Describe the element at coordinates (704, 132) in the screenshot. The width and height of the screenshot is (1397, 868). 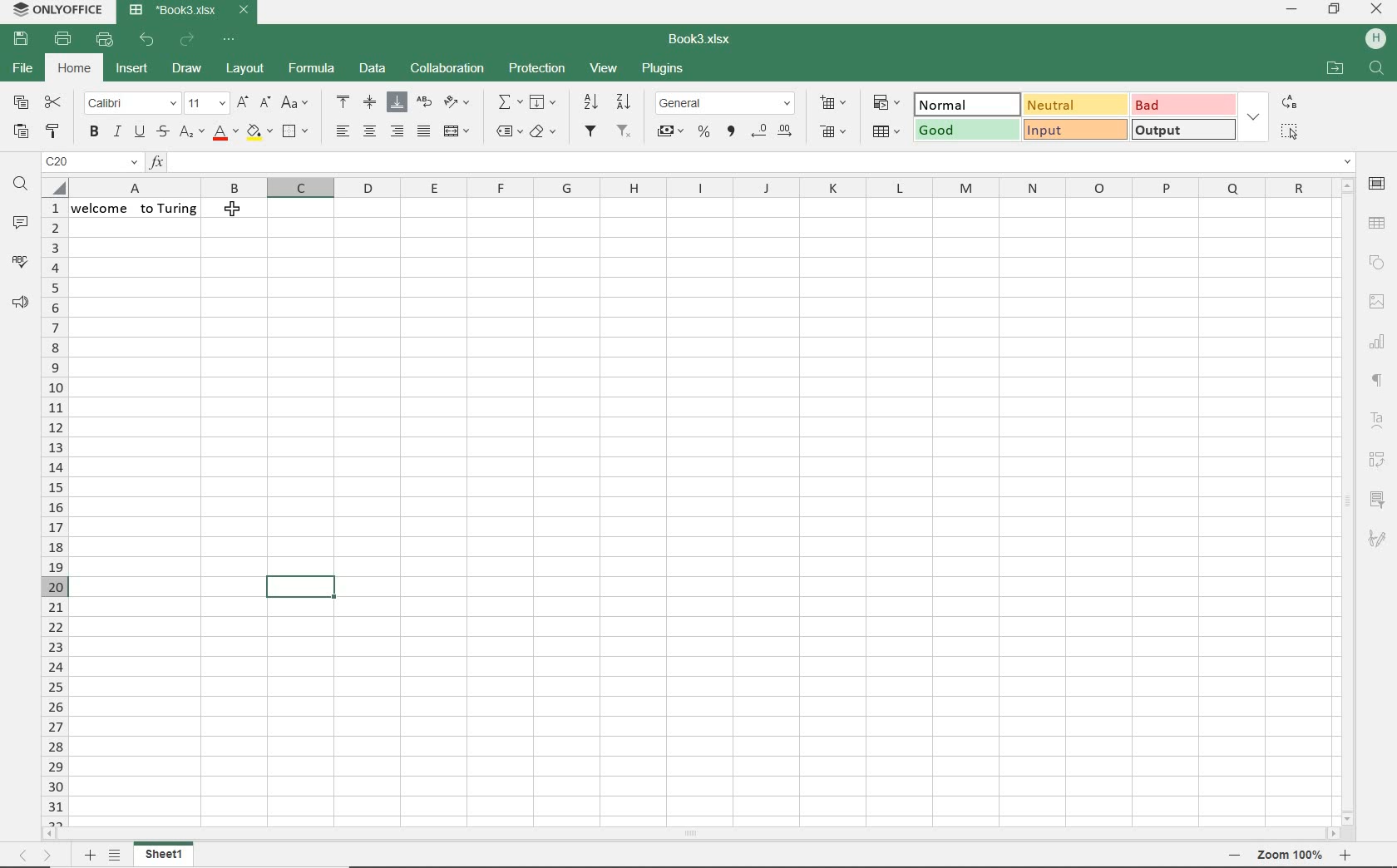
I see `percent style` at that location.